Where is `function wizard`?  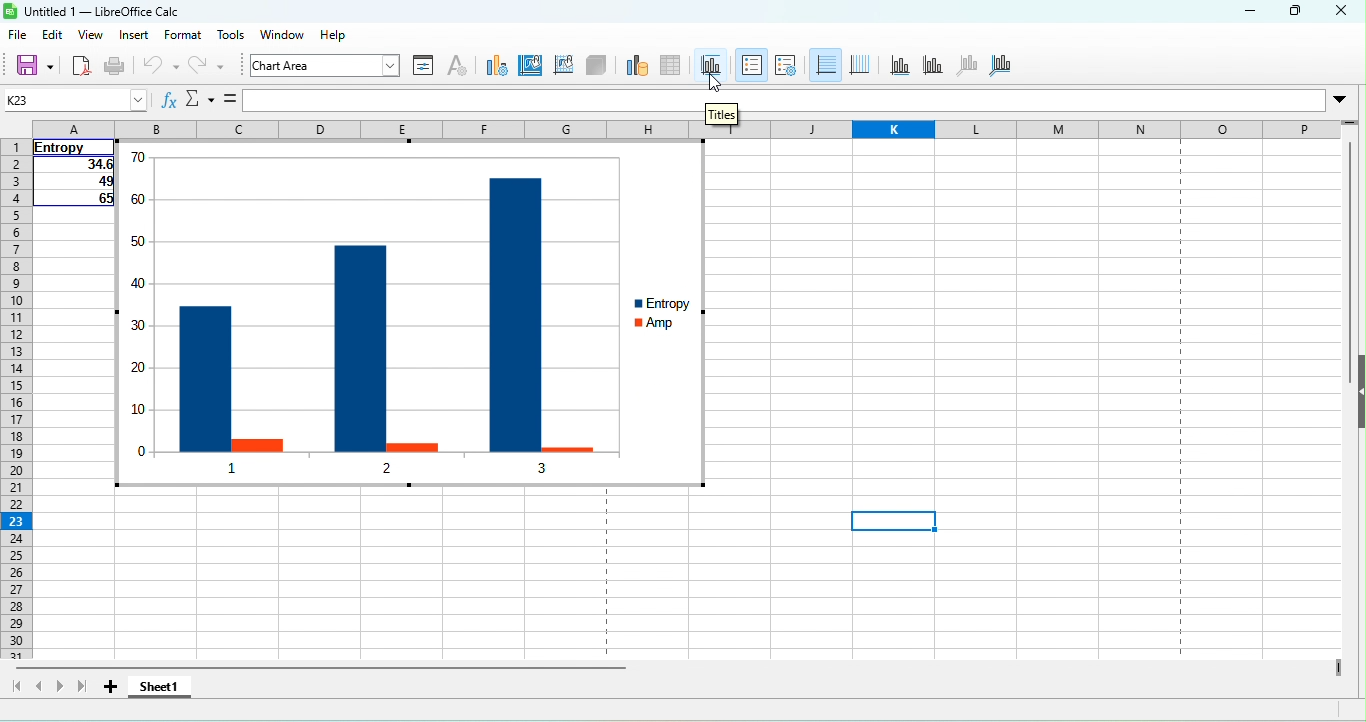
function wizard is located at coordinates (169, 101).